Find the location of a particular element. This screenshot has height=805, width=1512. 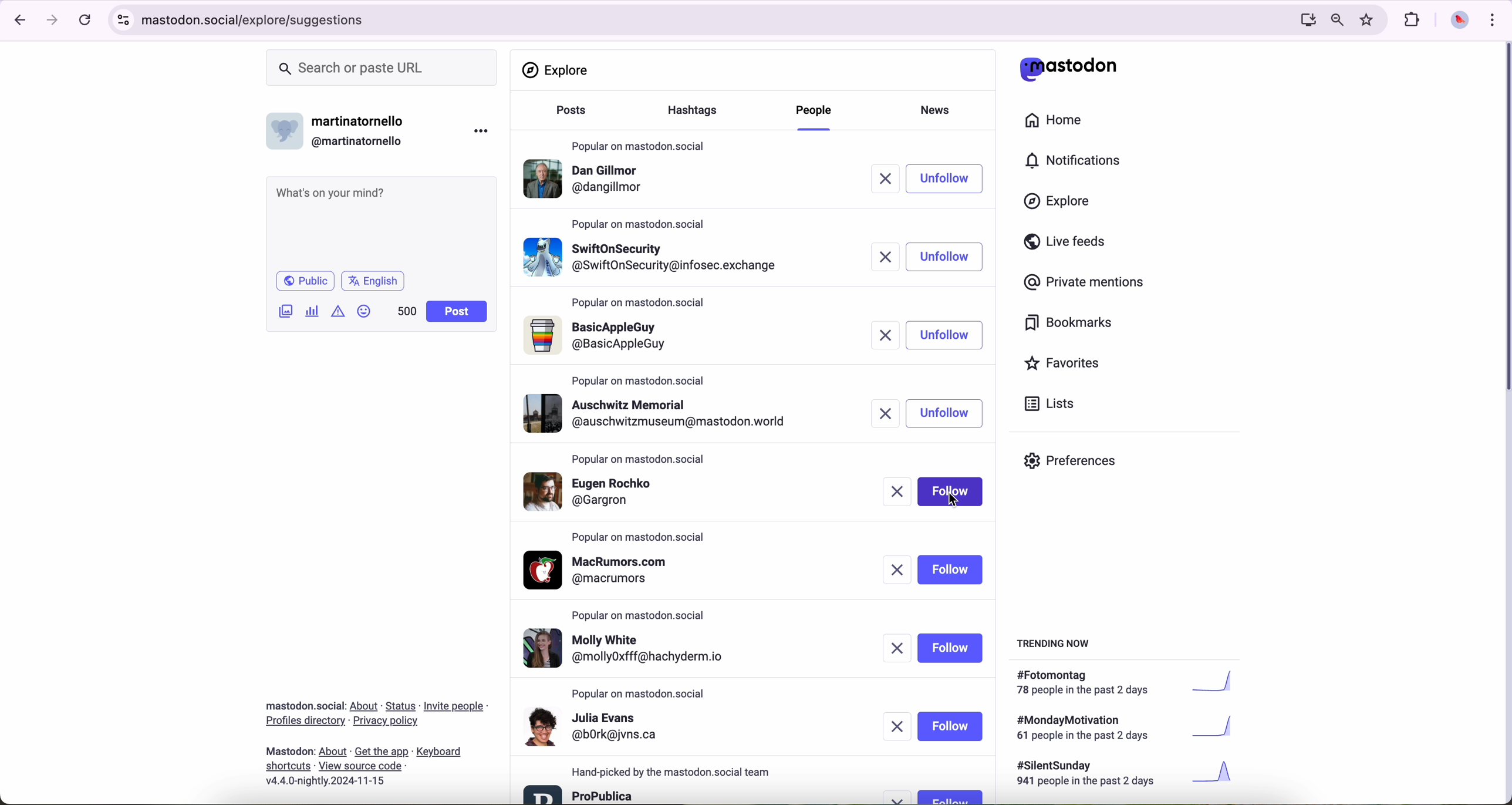

popular on mastodon.social is located at coordinates (640, 304).